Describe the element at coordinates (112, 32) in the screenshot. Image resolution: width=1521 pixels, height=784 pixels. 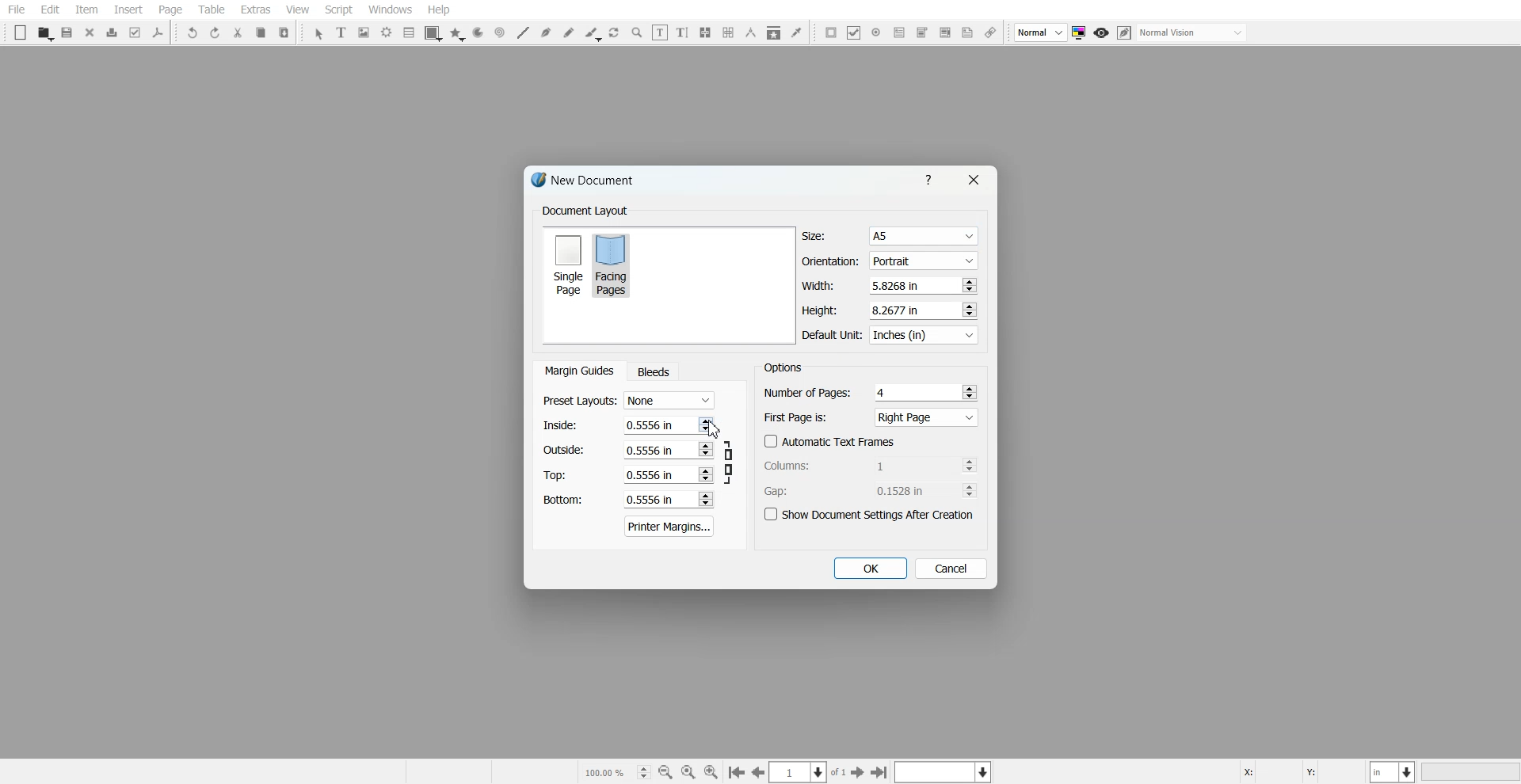
I see `Print` at that location.